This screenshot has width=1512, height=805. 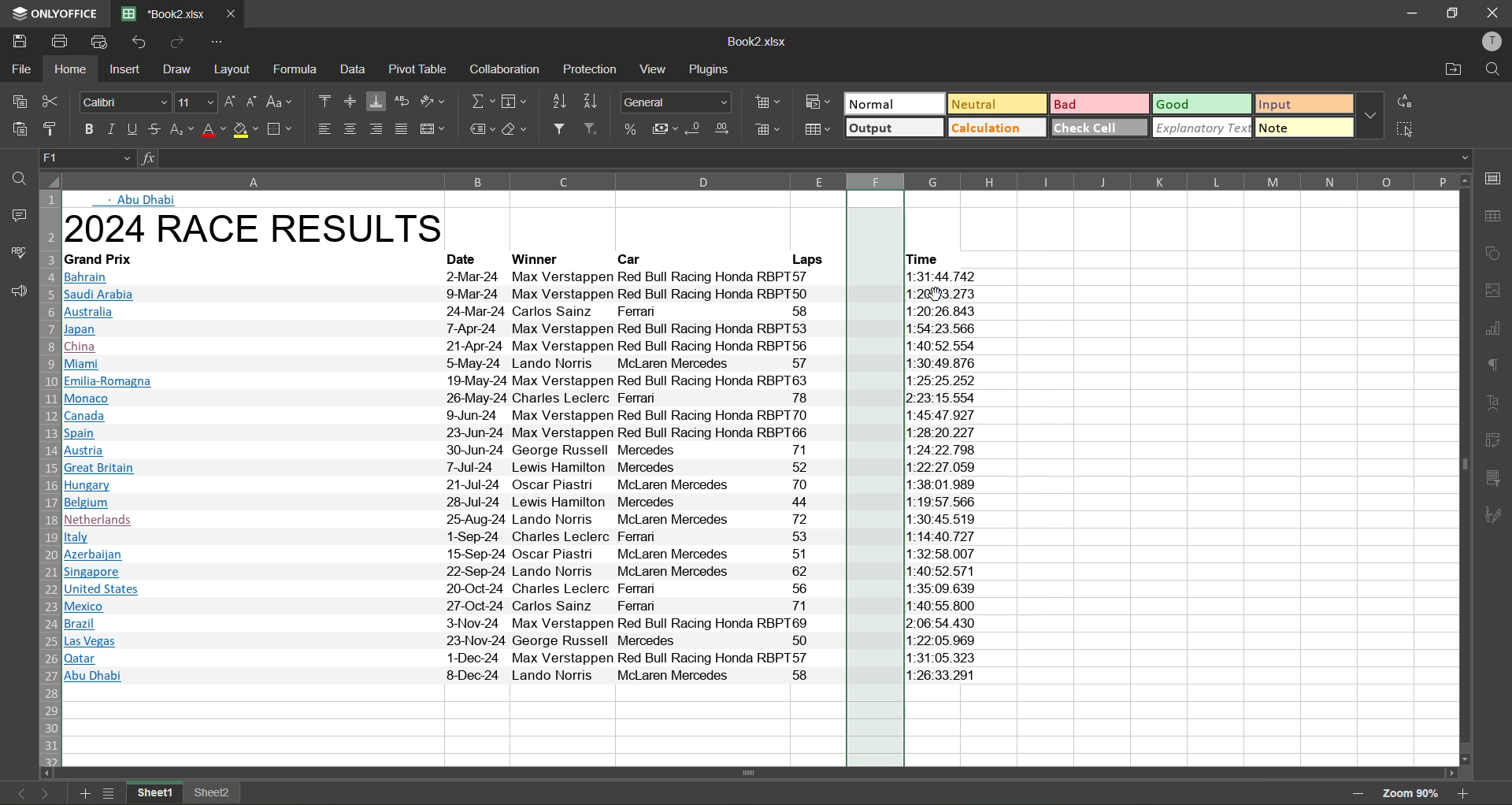 I want to click on 12:23:15.554, so click(x=950, y=397).